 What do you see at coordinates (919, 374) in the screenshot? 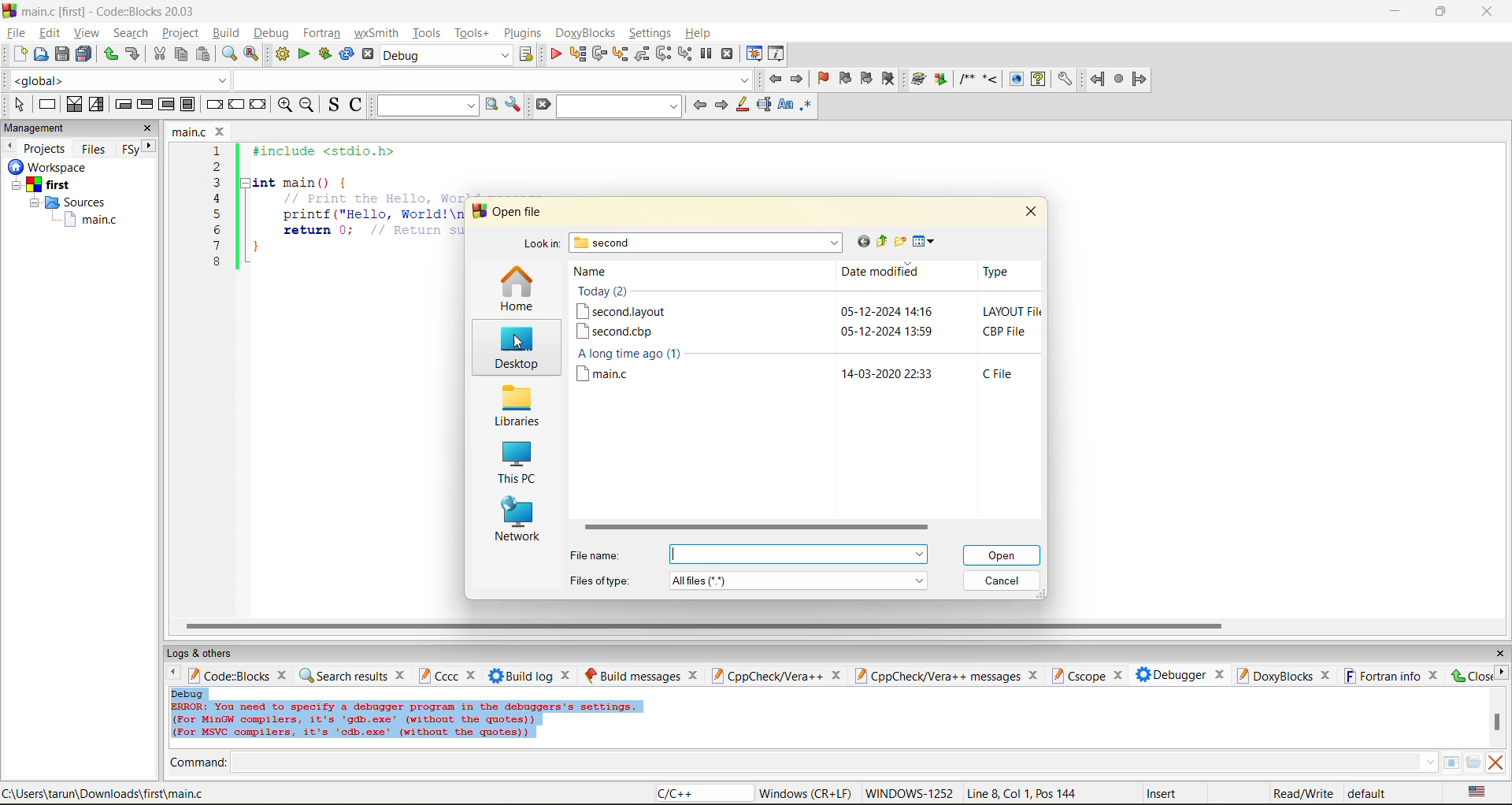
I see `time` at bounding box center [919, 374].